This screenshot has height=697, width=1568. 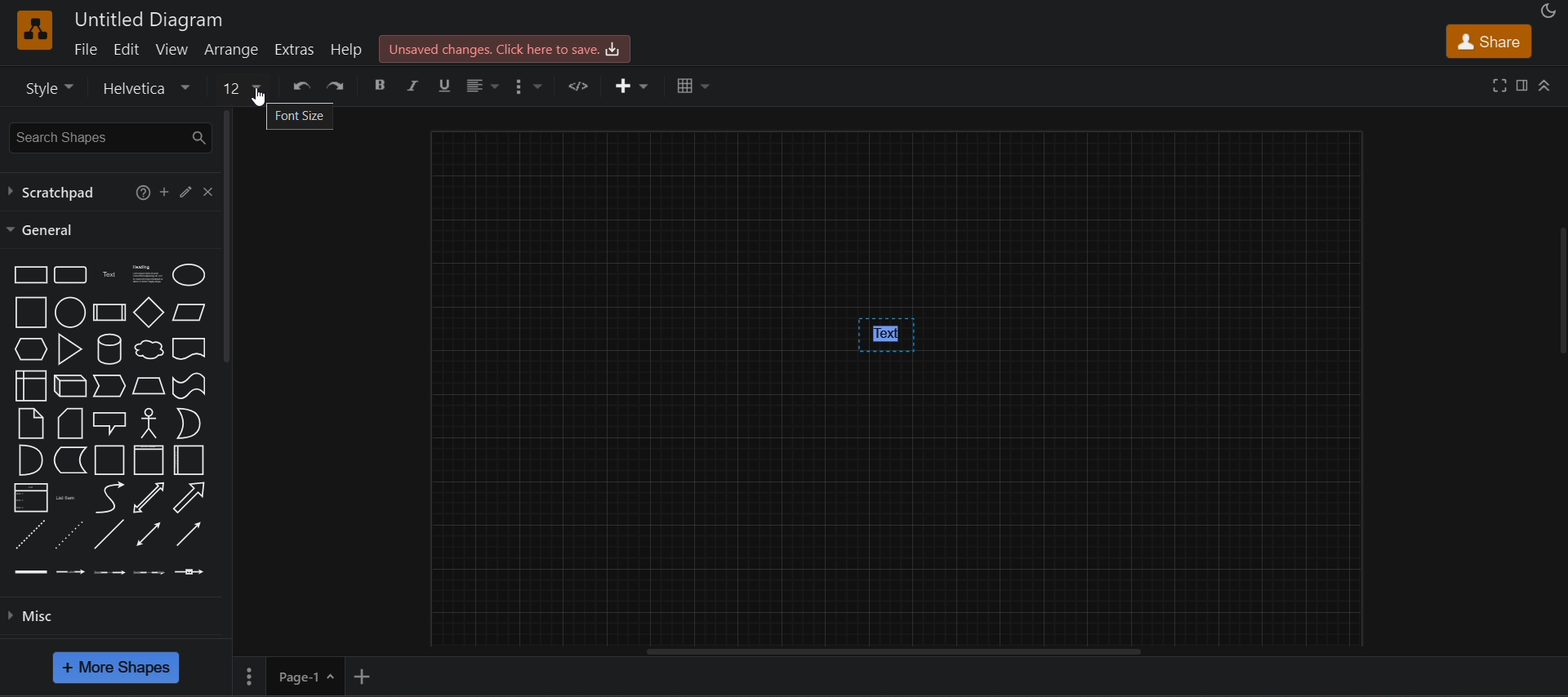 What do you see at coordinates (149, 534) in the screenshot?
I see `Bidirectional connector` at bounding box center [149, 534].